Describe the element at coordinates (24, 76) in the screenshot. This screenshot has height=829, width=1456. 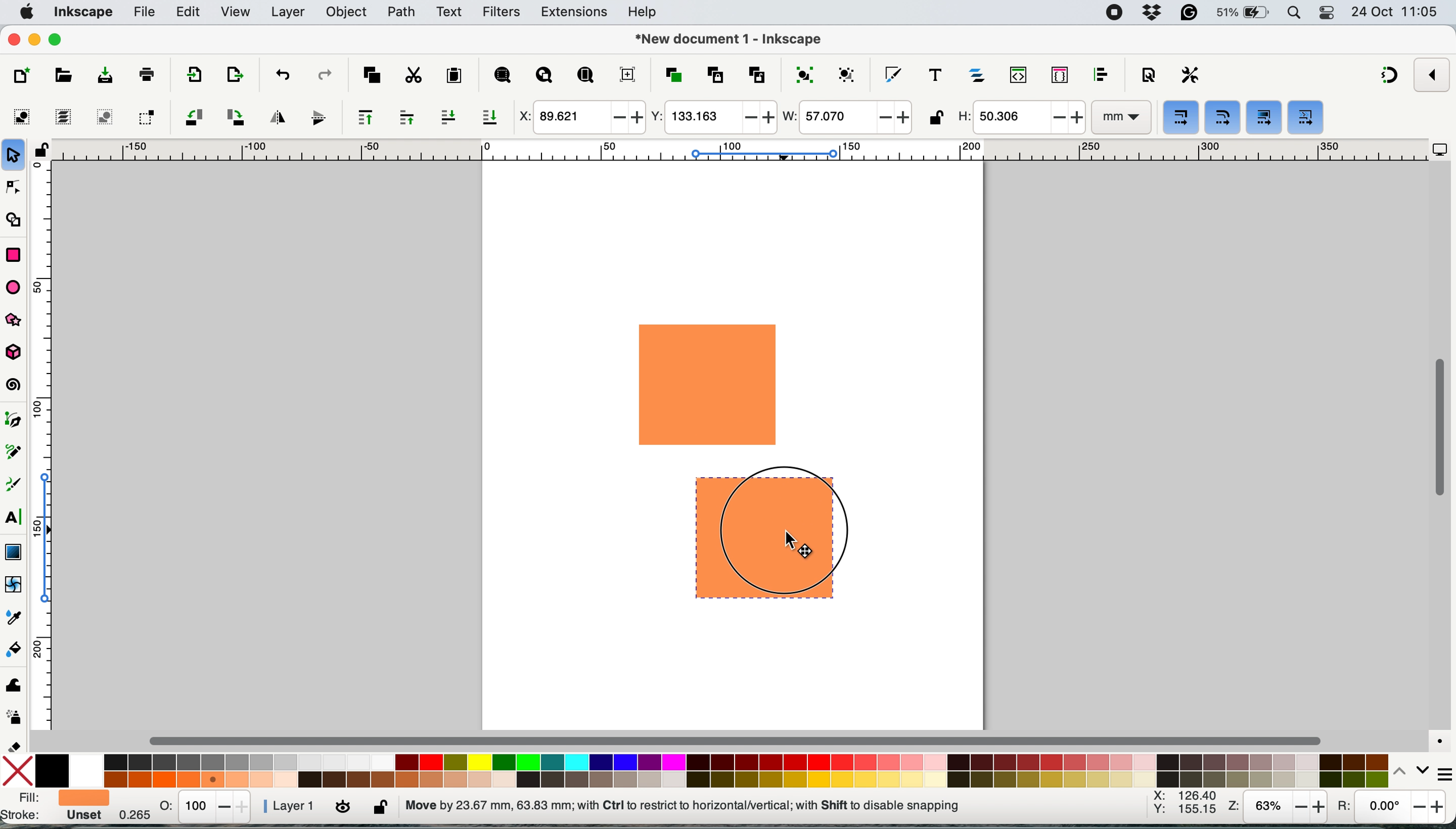
I see `new` at that location.